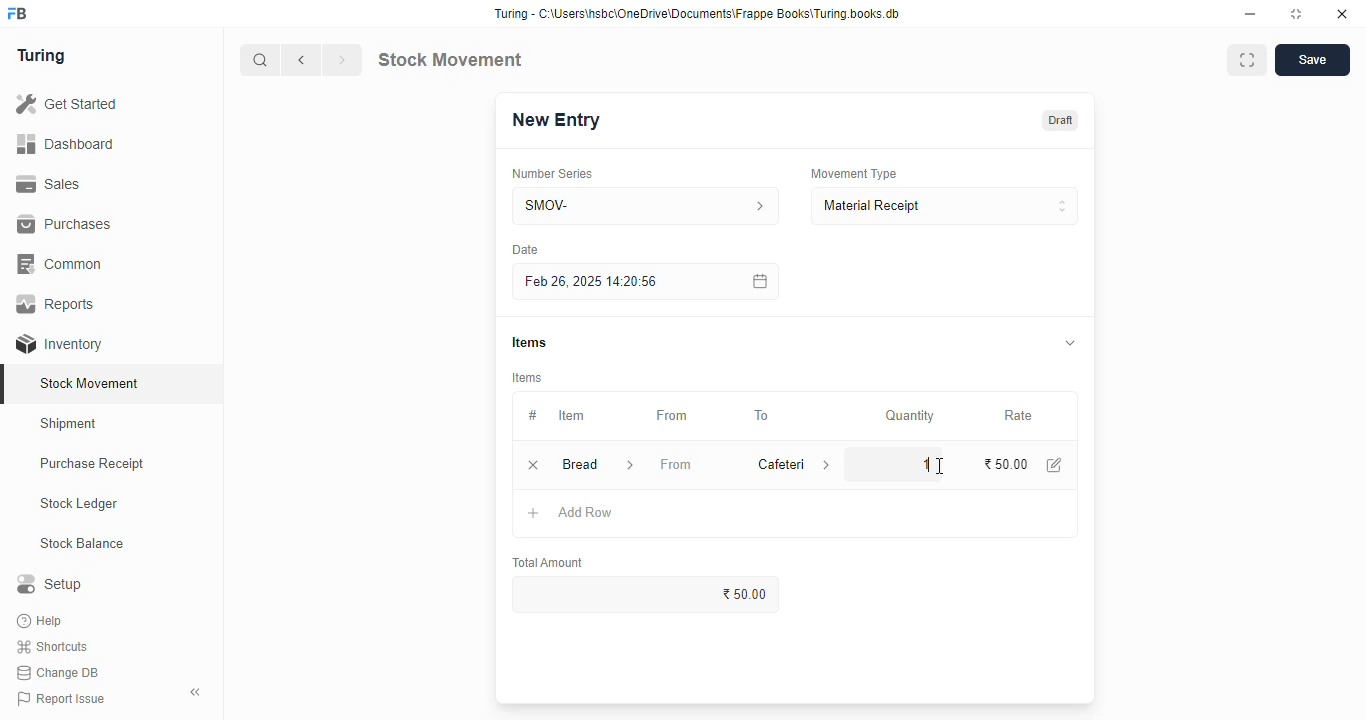  I want to click on remove, so click(533, 466).